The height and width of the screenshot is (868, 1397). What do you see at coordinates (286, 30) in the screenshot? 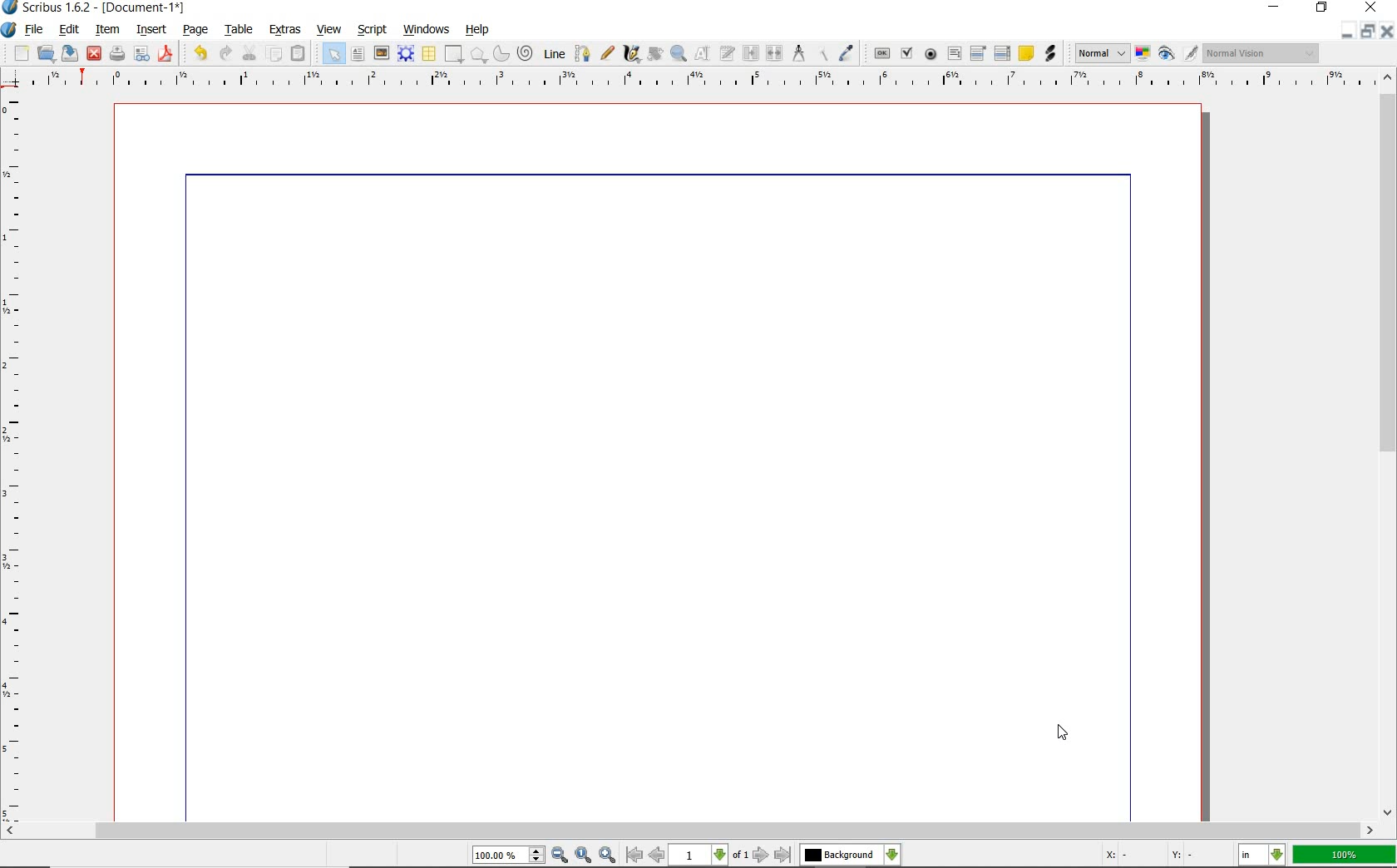
I see `extras` at bounding box center [286, 30].